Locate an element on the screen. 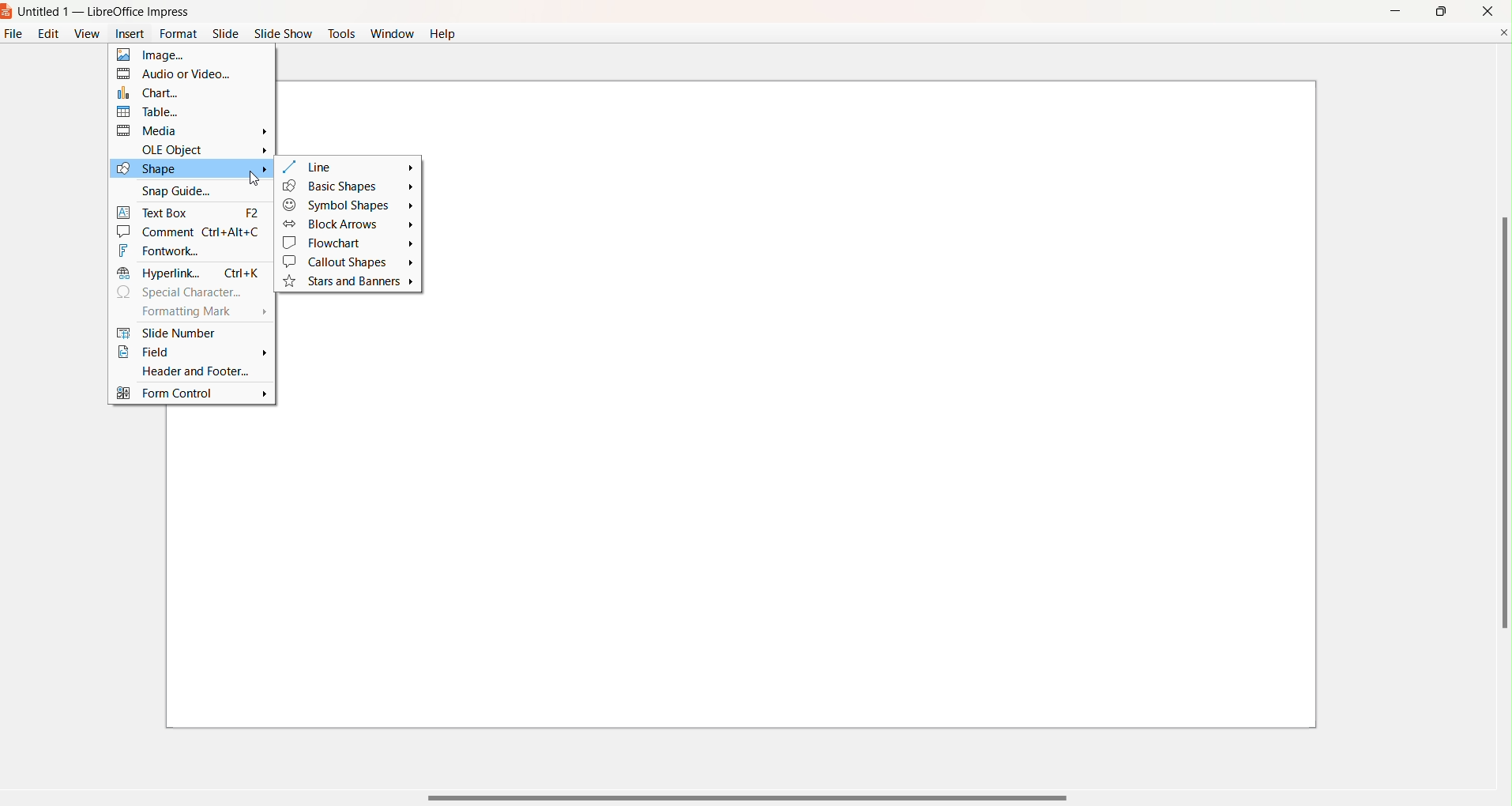  Help is located at coordinates (444, 34).